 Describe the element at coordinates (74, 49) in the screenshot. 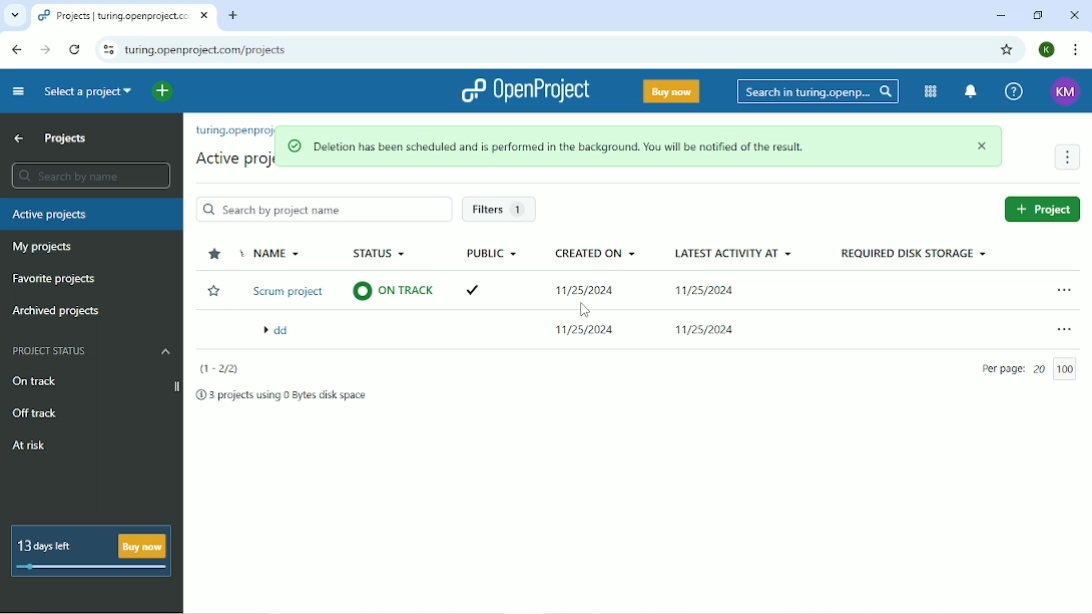

I see `Reload this page` at that location.